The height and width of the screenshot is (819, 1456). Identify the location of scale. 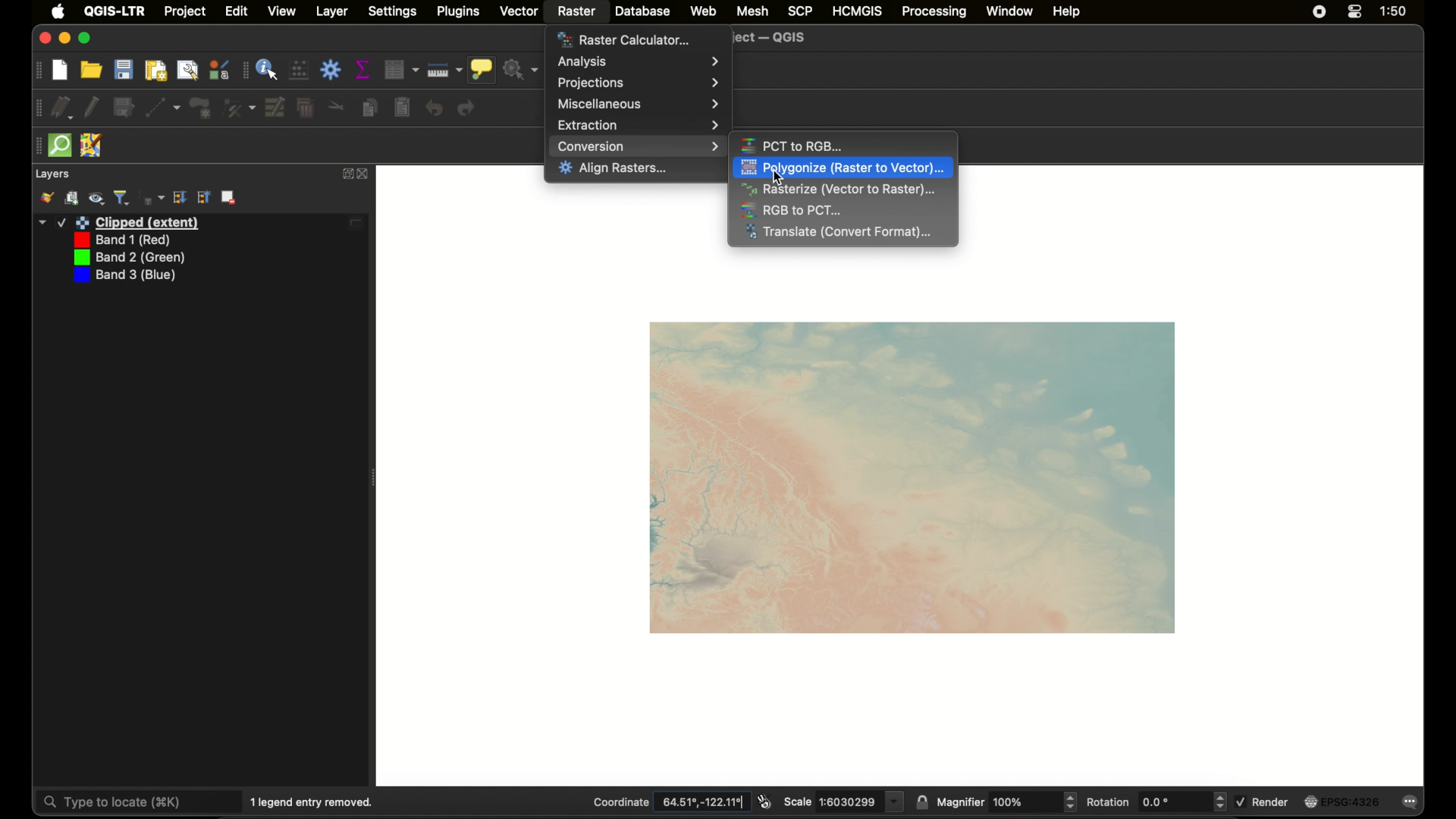
(843, 802).